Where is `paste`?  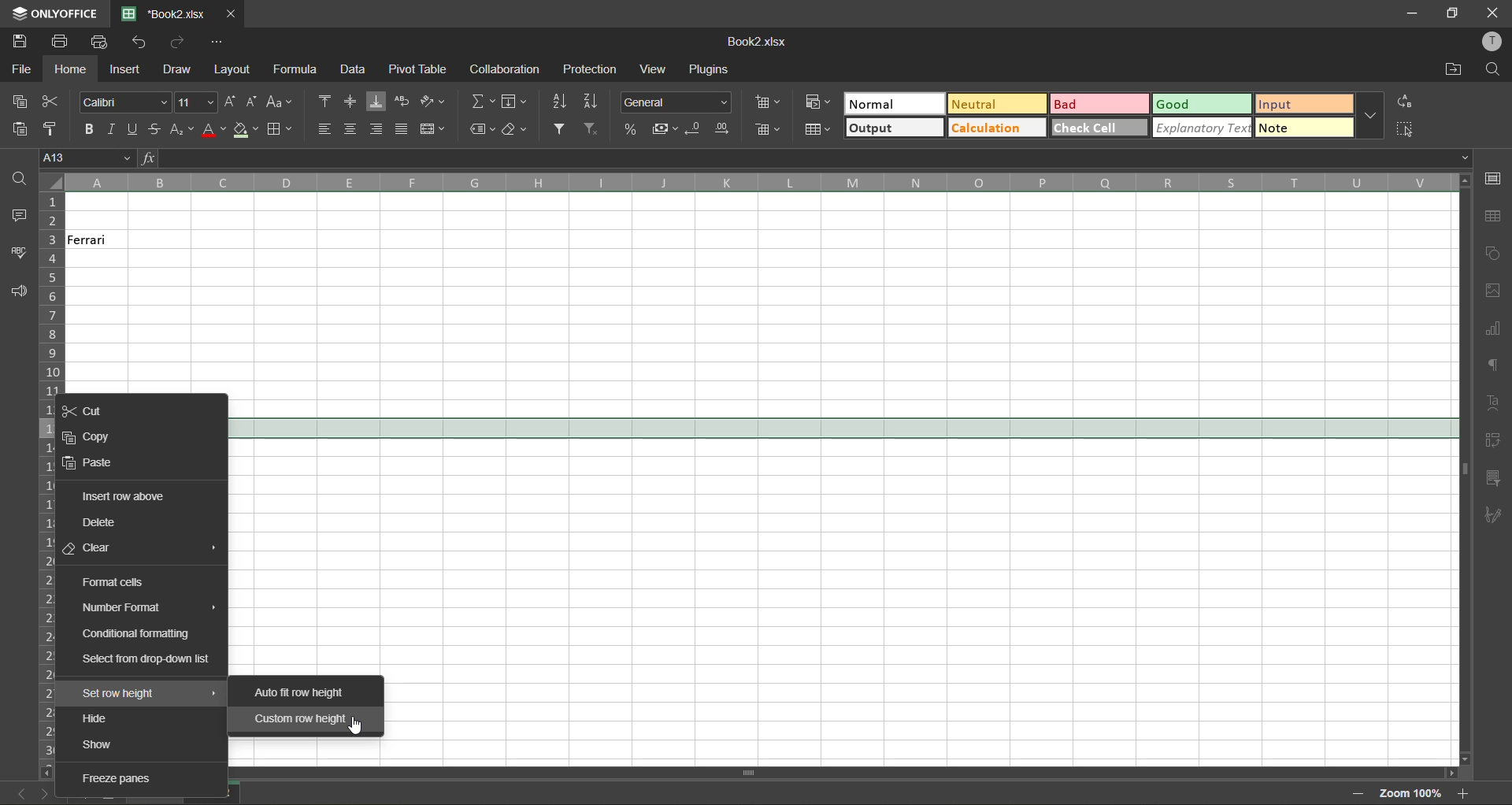 paste is located at coordinates (92, 463).